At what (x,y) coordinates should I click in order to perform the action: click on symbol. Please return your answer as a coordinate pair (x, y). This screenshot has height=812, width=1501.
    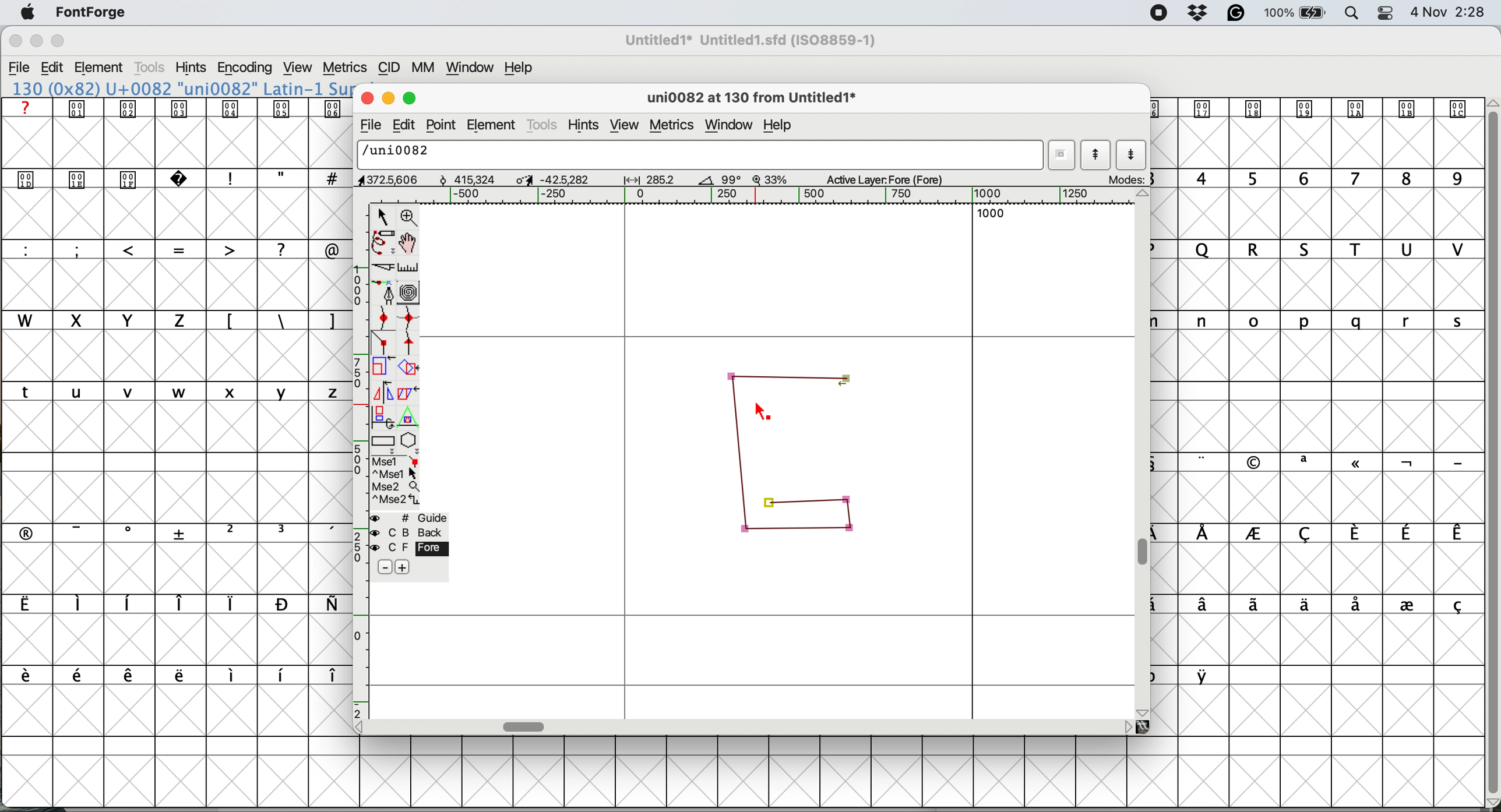
    Looking at the image, I should click on (1206, 675).